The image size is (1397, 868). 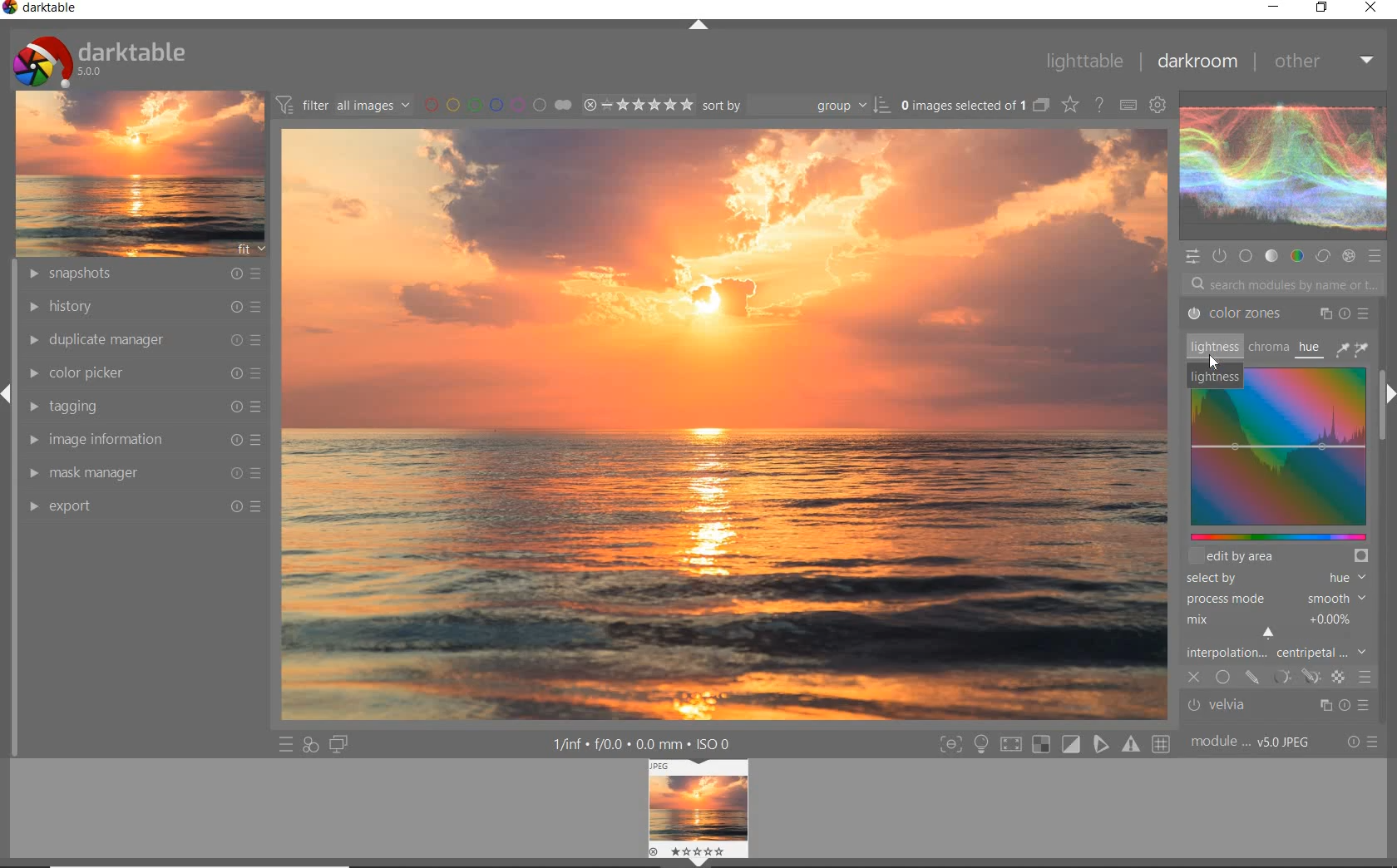 I want to click on MODULE ORDER, so click(x=1252, y=742).